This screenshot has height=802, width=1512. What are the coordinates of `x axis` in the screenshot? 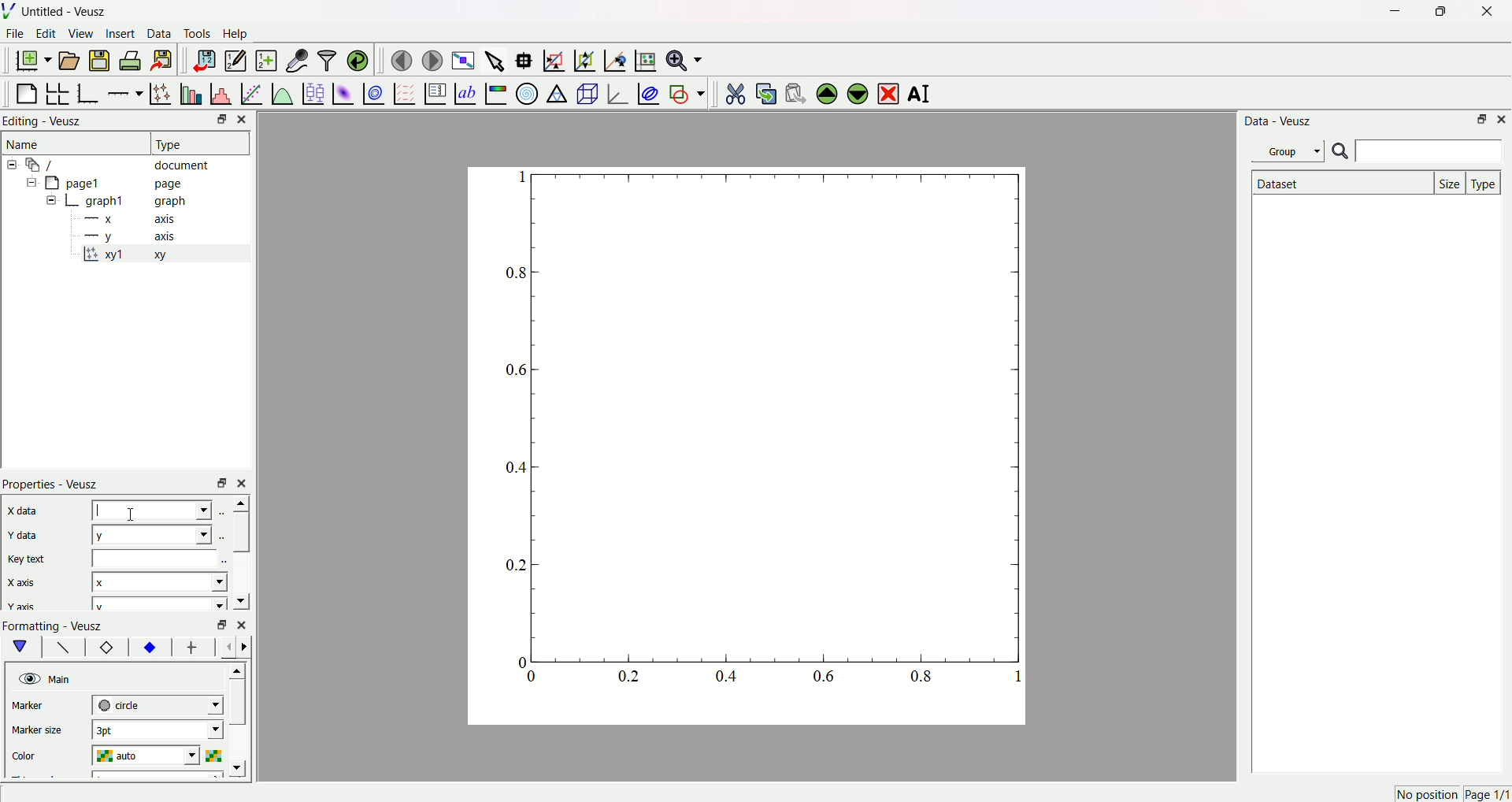 It's located at (133, 220).